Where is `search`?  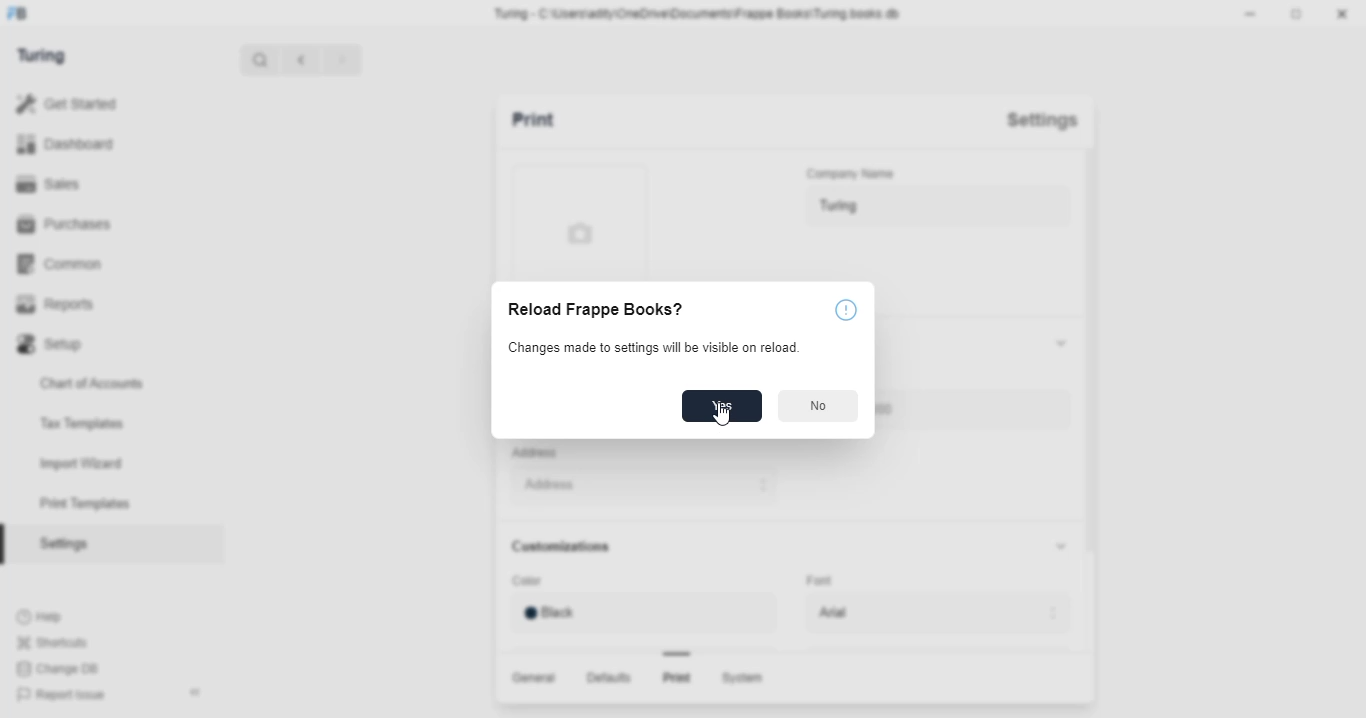
search is located at coordinates (261, 60).